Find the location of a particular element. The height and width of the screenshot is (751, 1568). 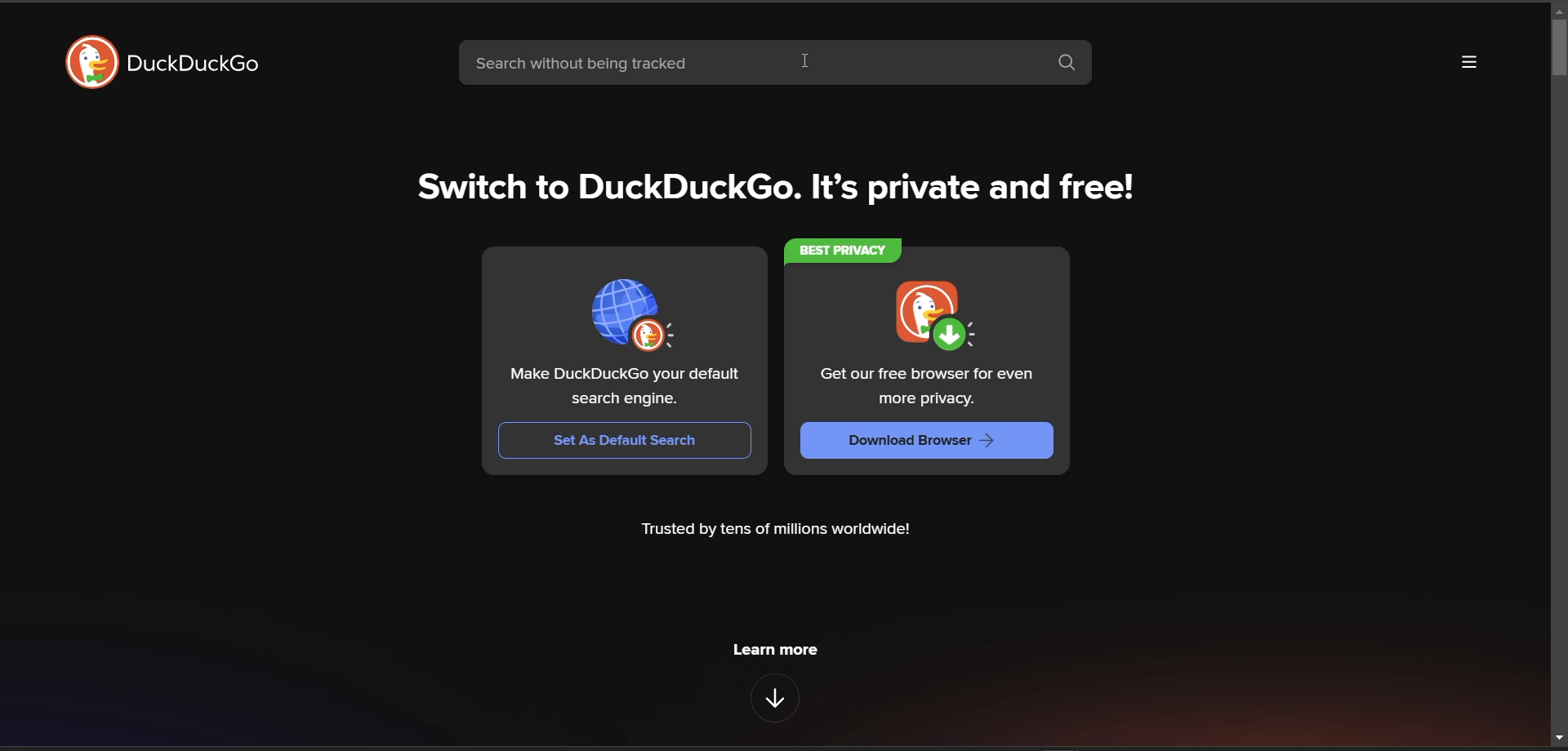

vertical scroll bar is located at coordinates (1558, 48).